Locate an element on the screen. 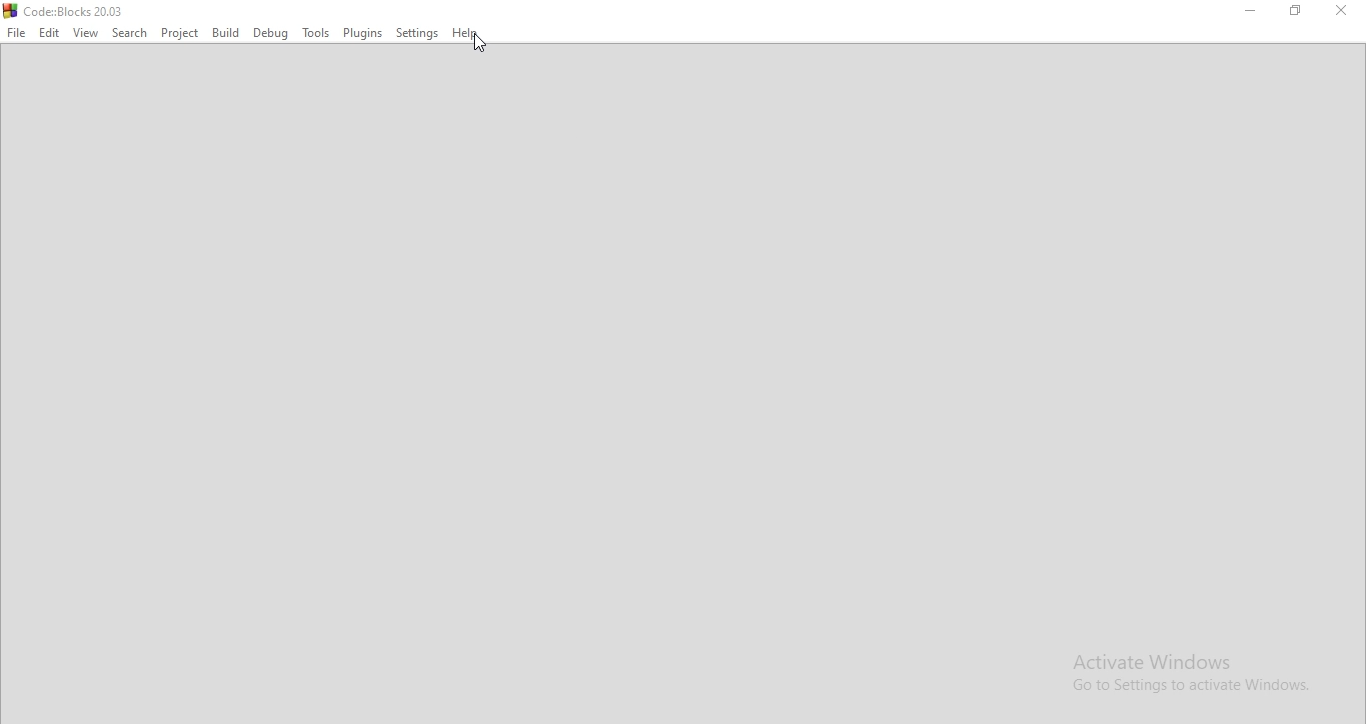  cursor on Help is located at coordinates (480, 44).